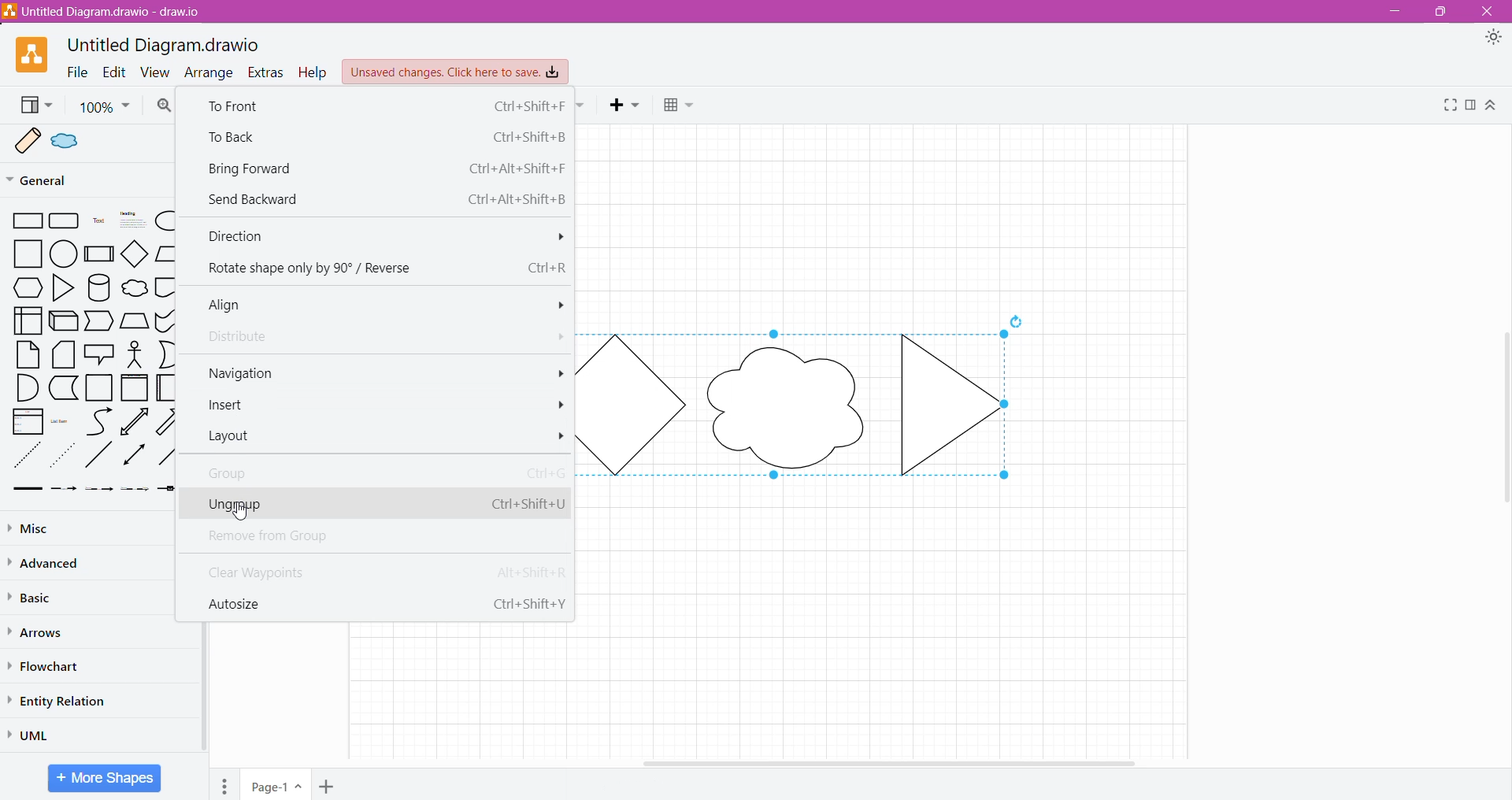  Describe the element at coordinates (387, 139) in the screenshot. I see `To Back Ctrl+Shift+B` at that location.